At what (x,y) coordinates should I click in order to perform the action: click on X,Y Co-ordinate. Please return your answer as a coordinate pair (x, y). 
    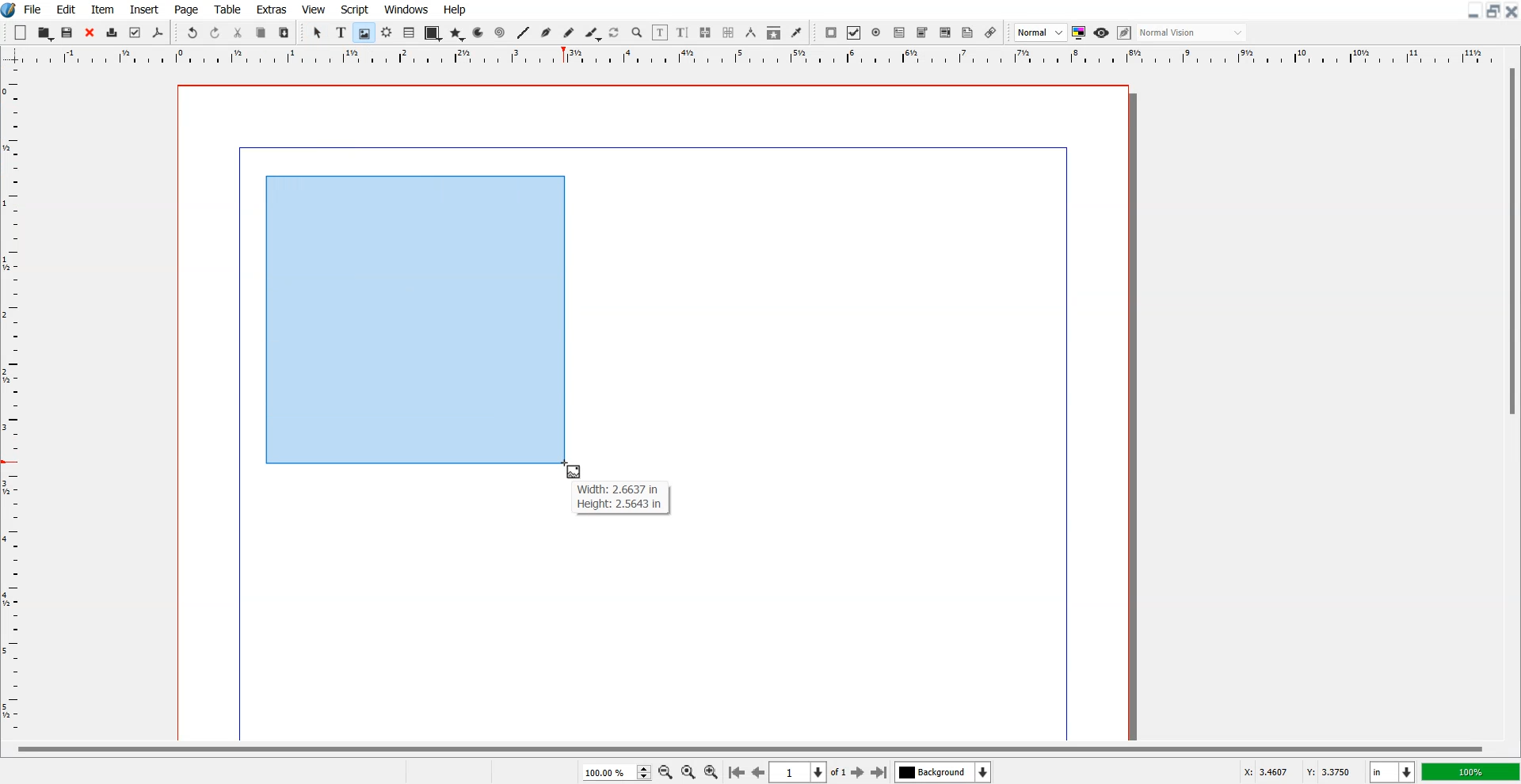
    Looking at the image, I should click on (1301, 771).